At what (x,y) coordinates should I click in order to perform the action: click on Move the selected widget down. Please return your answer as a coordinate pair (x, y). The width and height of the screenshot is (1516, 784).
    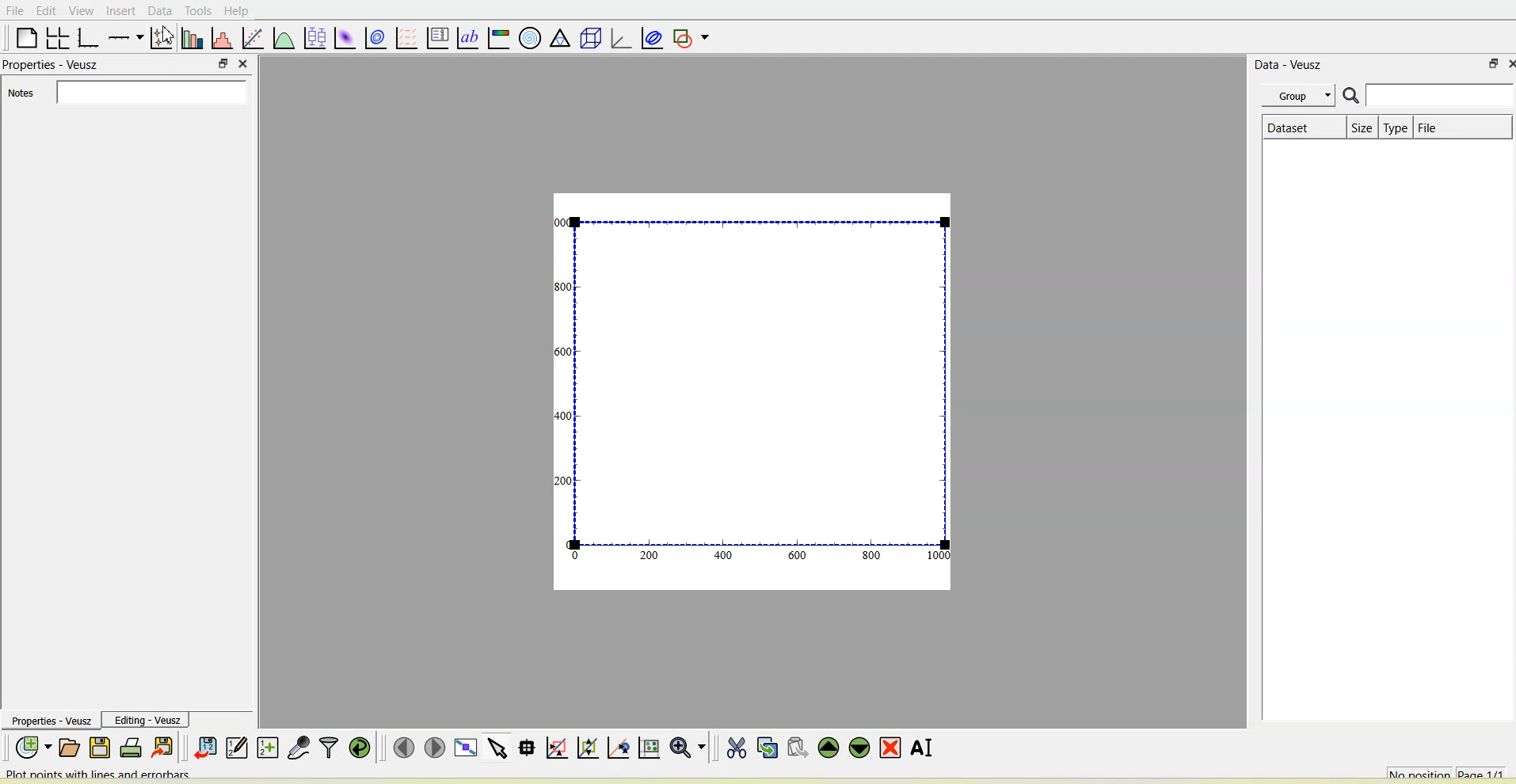
    Looking at the image, I should click on (859, 748).